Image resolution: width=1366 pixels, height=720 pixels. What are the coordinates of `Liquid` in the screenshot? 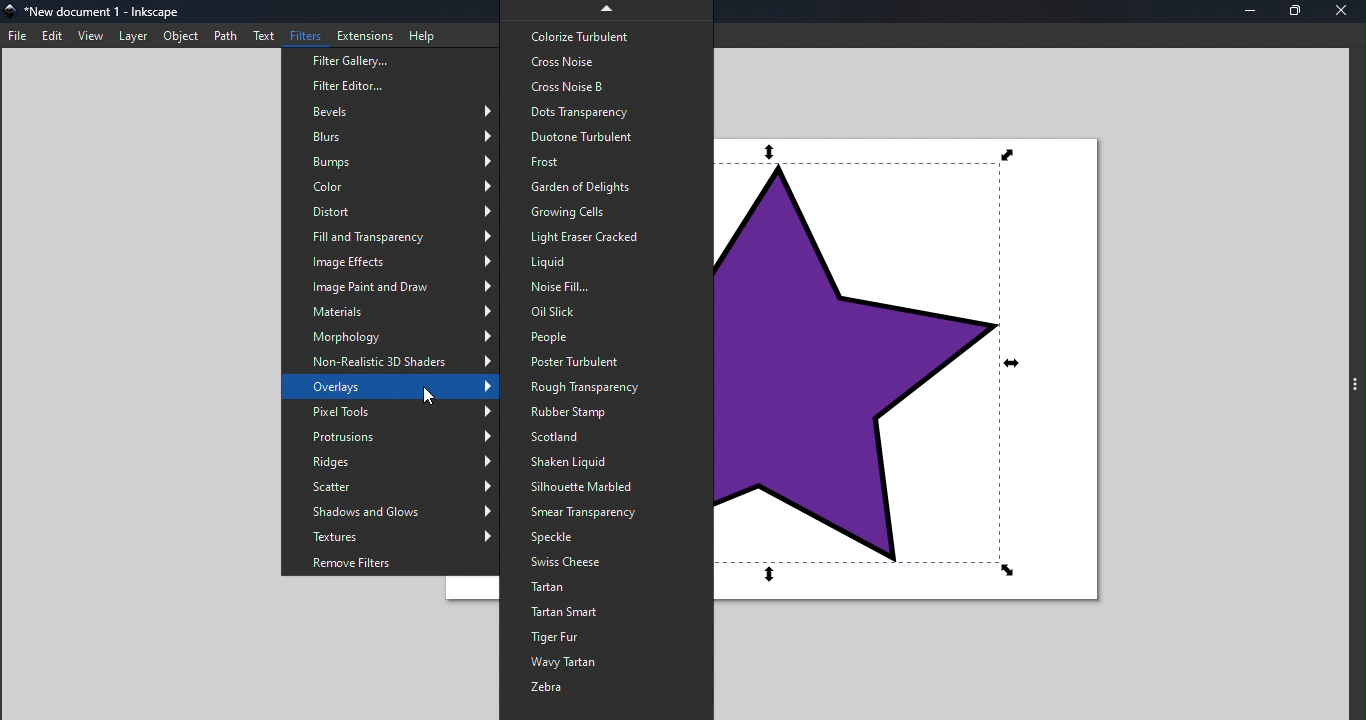 It's located at (604, 261).